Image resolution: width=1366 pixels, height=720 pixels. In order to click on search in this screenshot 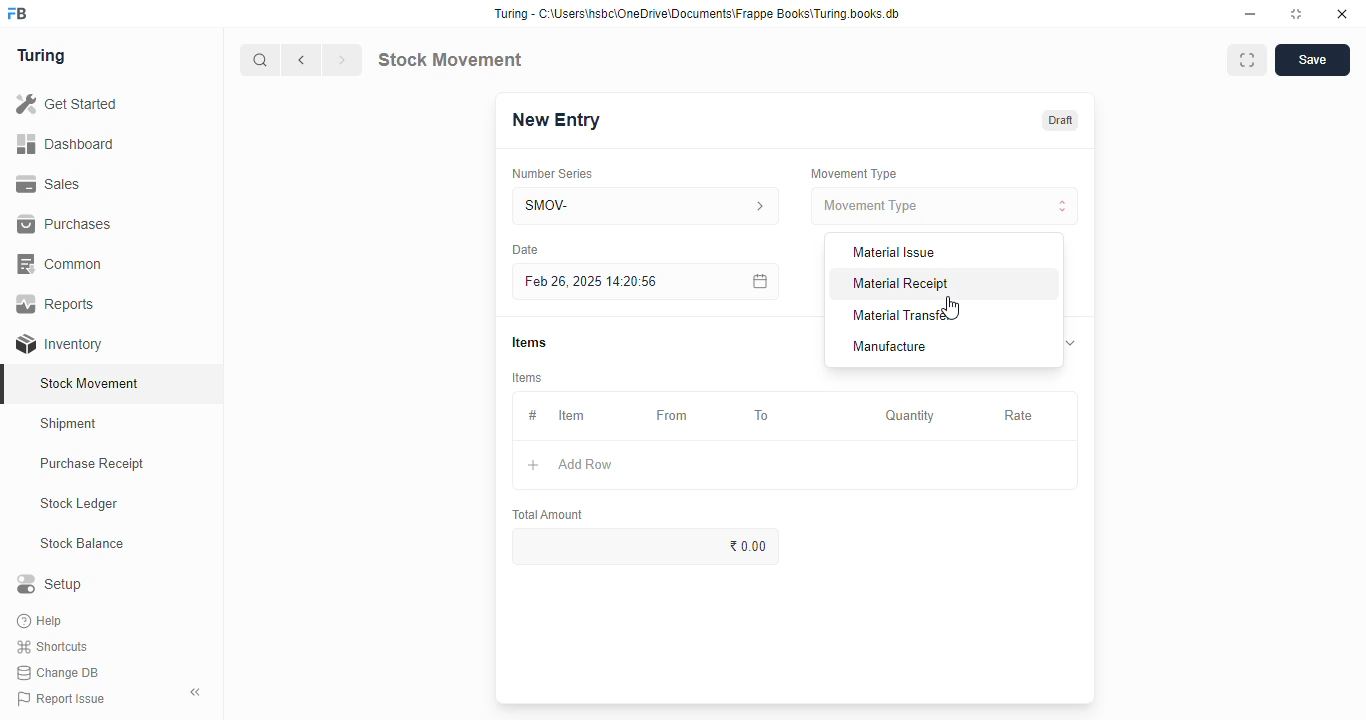, I will do `click(261, 60)`.